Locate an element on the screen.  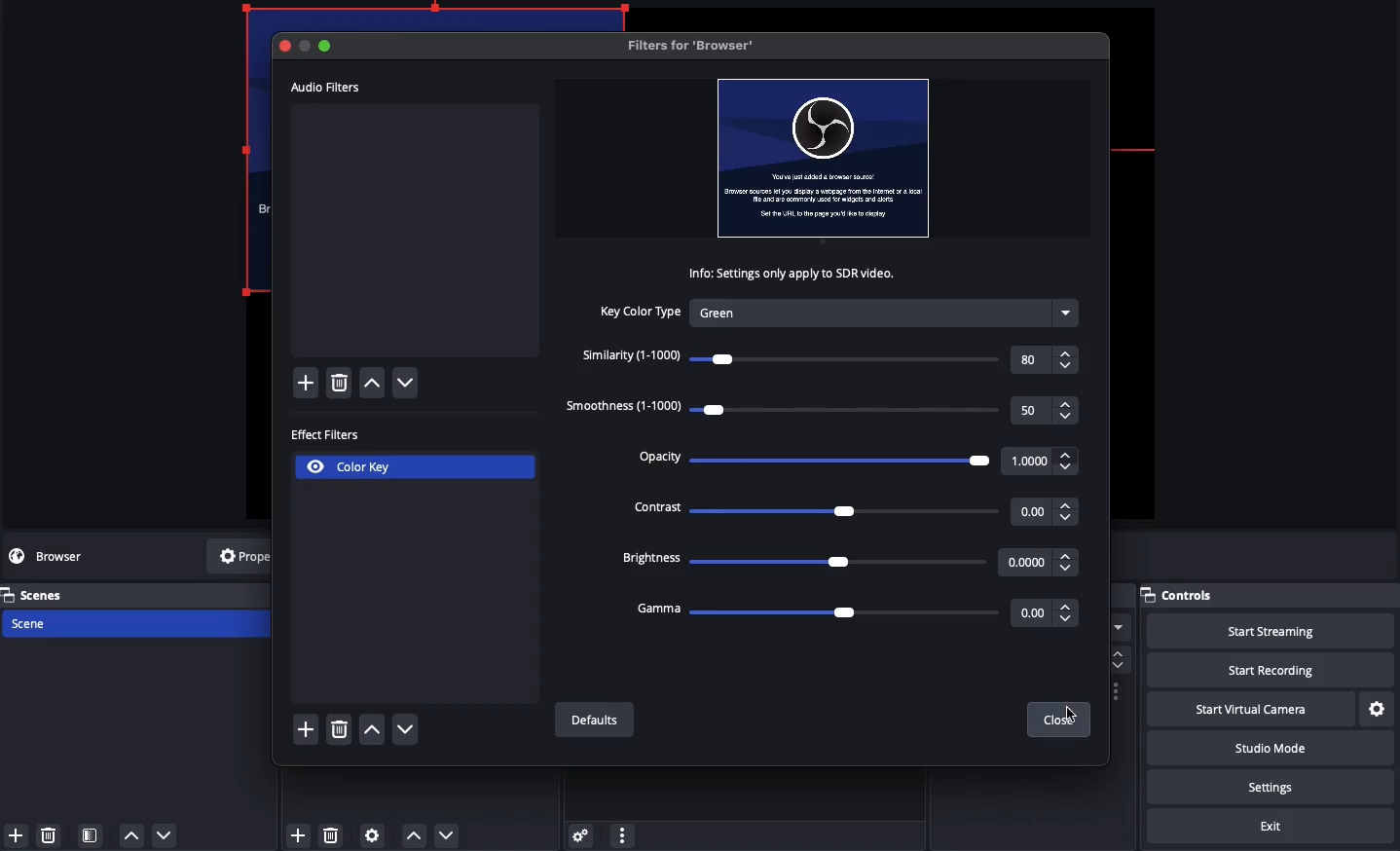
Info is located at coordinates (790, 274).